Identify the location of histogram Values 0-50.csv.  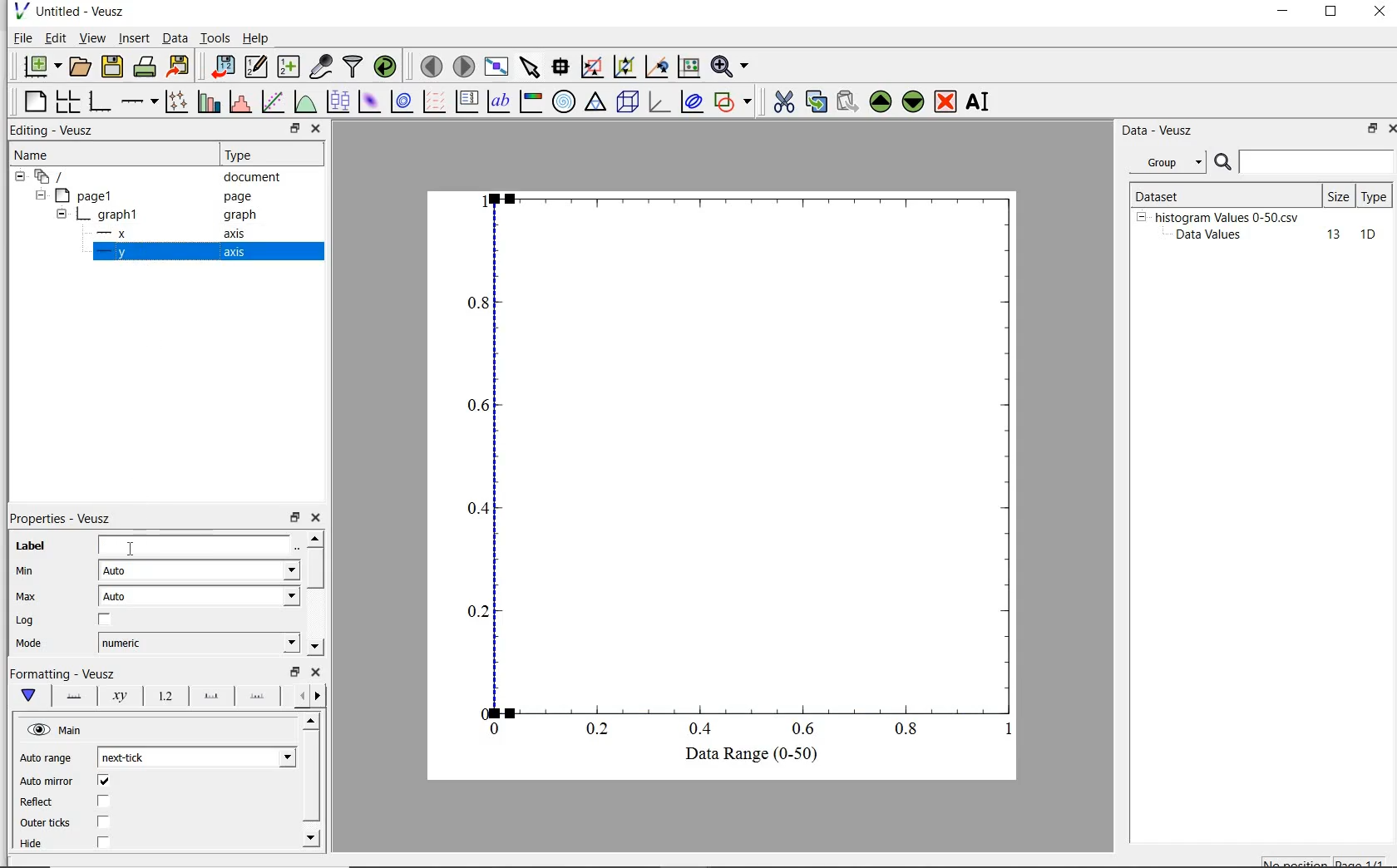
(1227, 216).